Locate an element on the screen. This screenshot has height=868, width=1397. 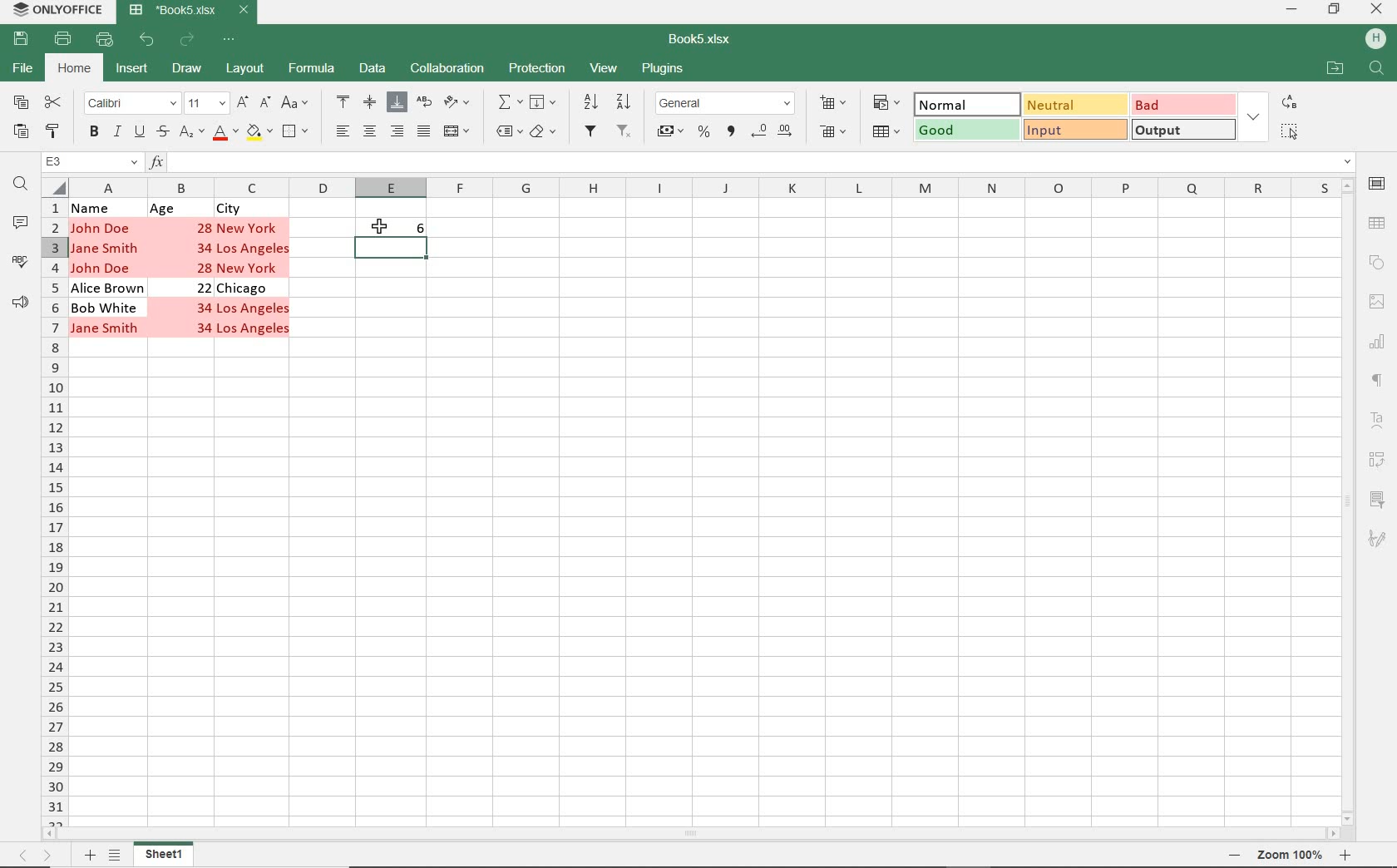
FORMULA is located at coordinates (312, 72).